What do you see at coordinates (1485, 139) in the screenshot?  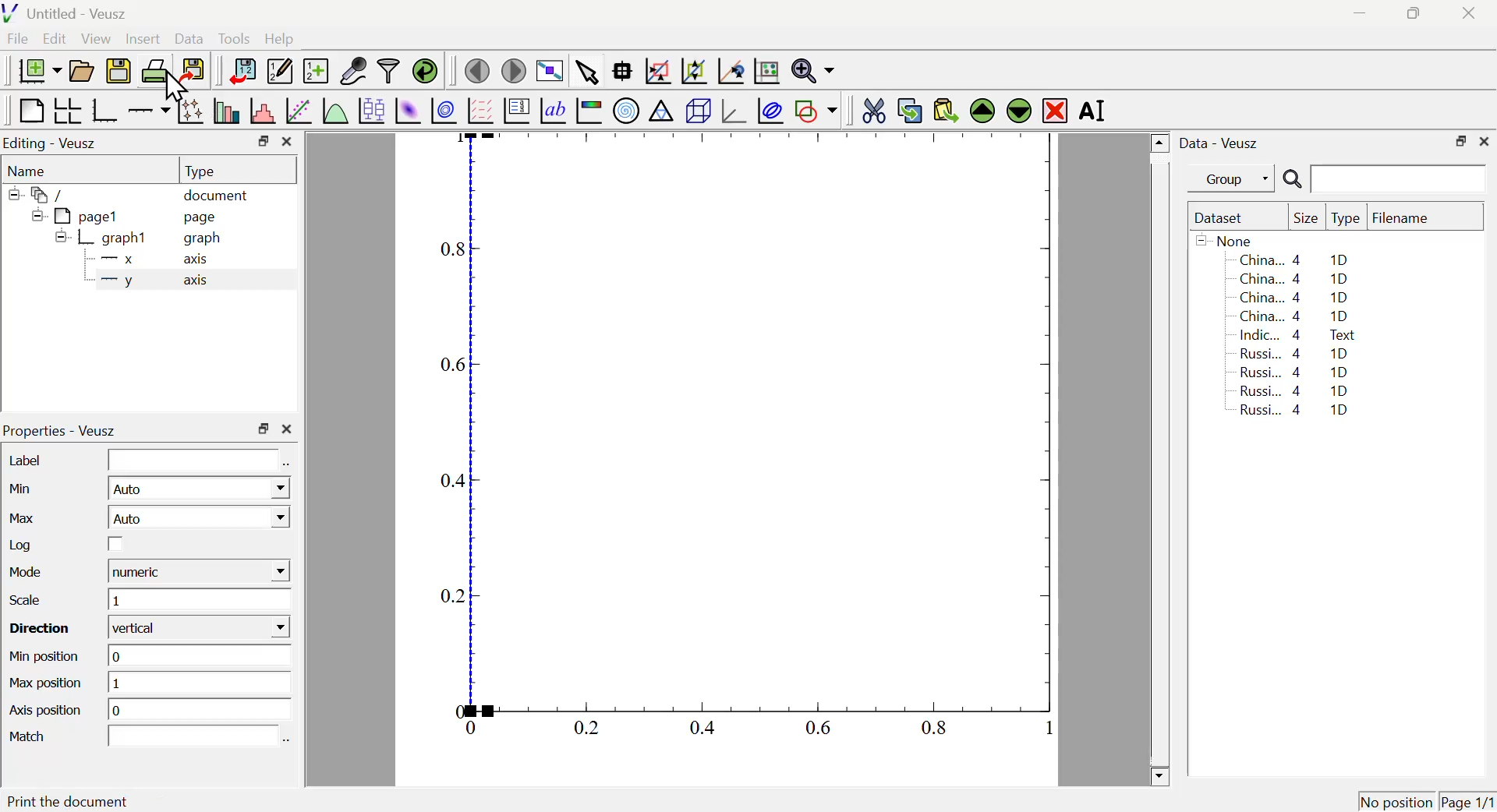 I see `Close` at bounding box center [1485, 139].